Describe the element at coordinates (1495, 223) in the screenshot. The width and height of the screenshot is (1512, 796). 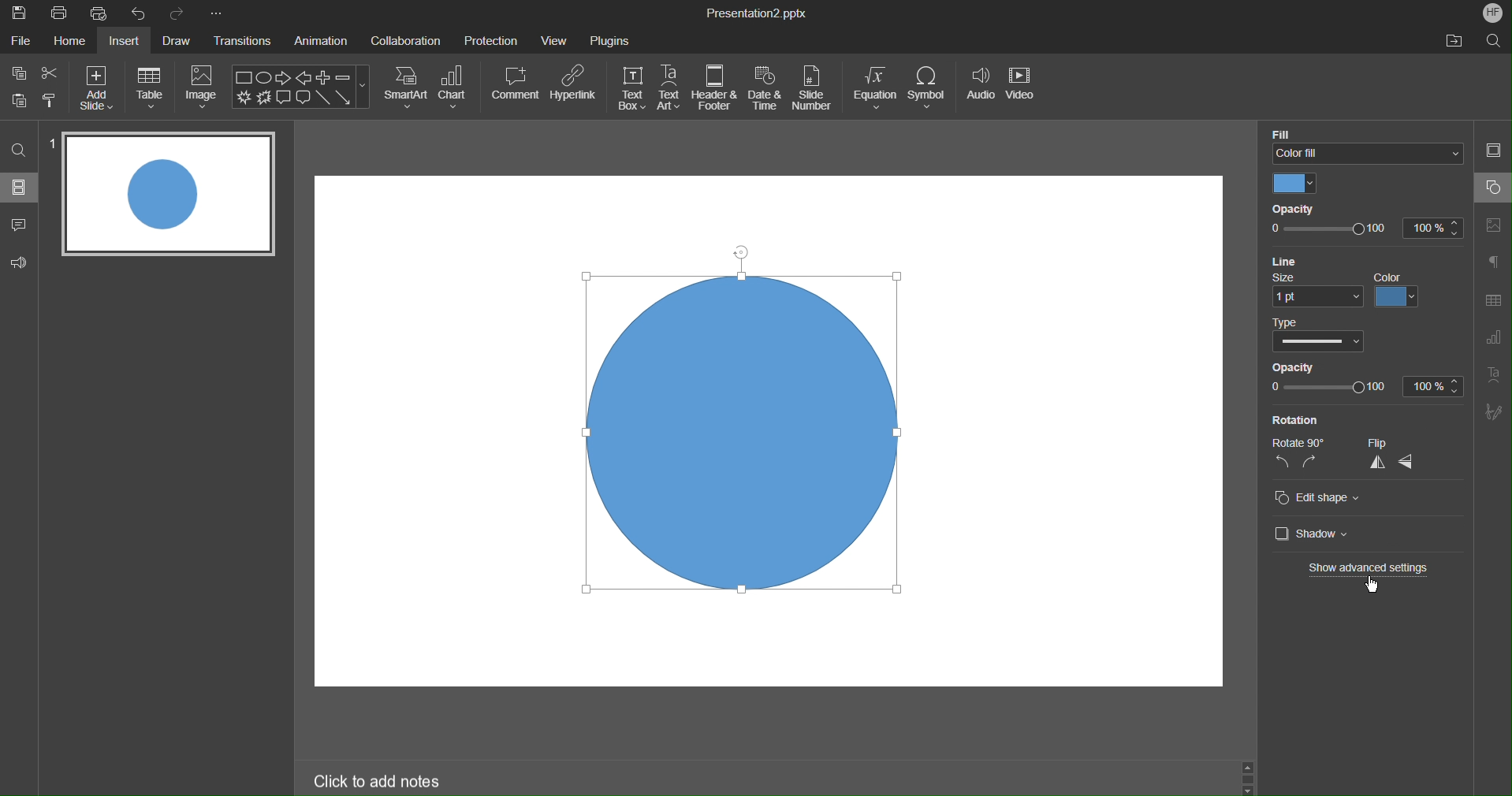
I see `Image Settings` at that location.